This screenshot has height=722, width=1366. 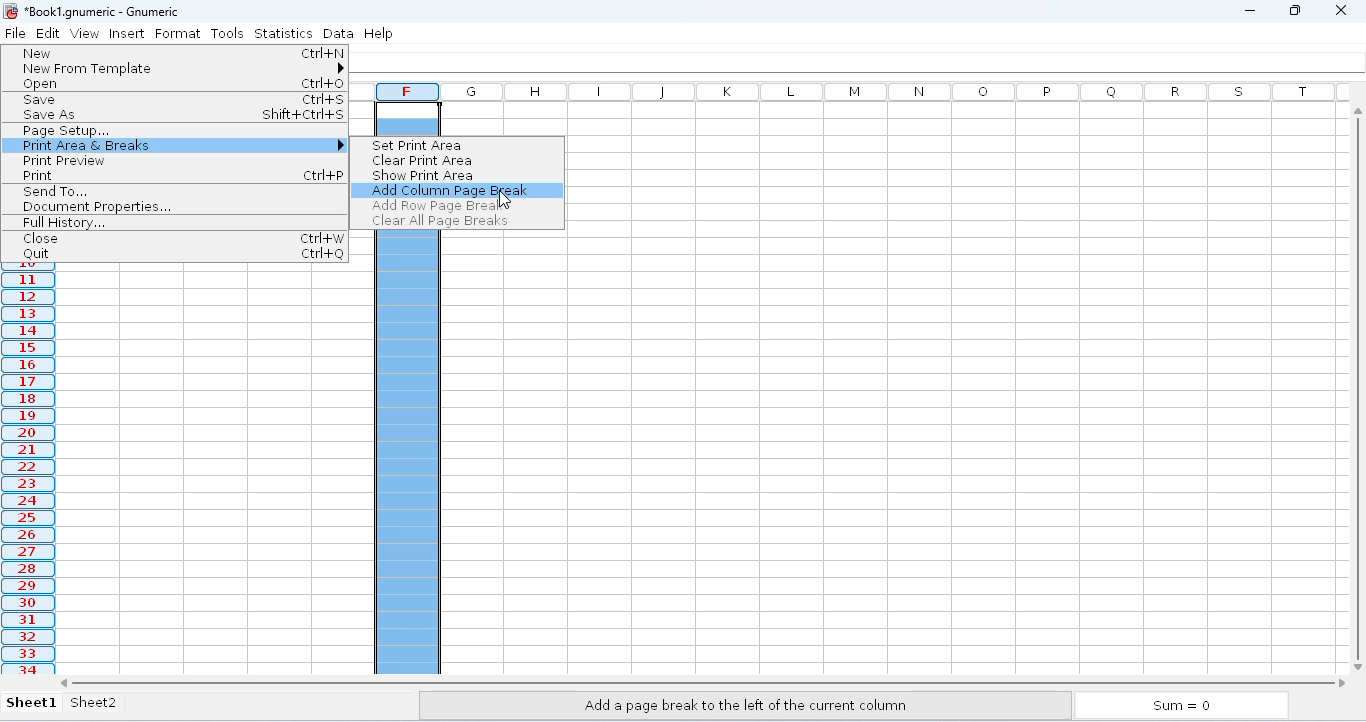 I want to click on shortcut for quit, so click(x=321, y=254).